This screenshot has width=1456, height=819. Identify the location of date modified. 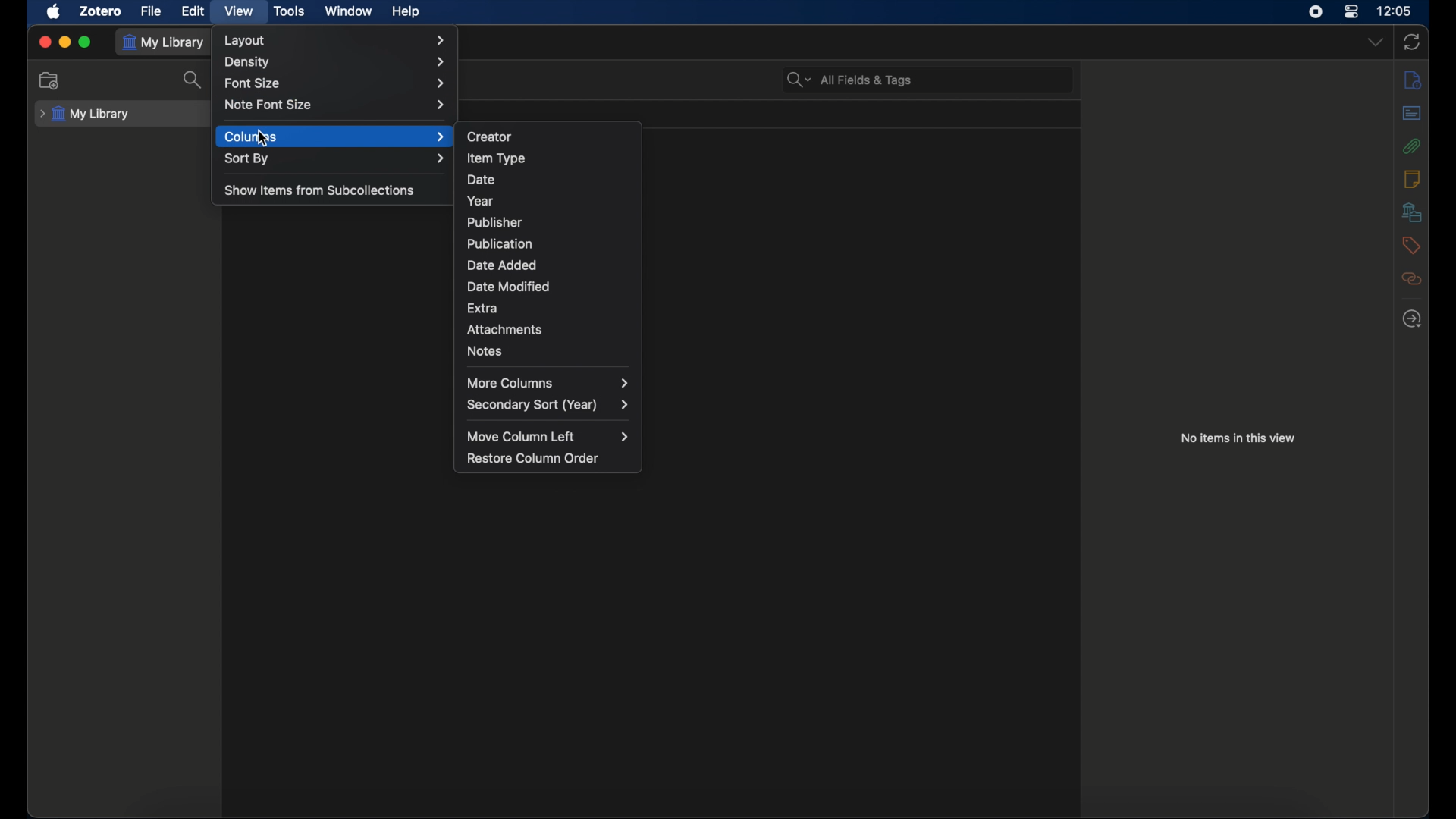
(510, 287).